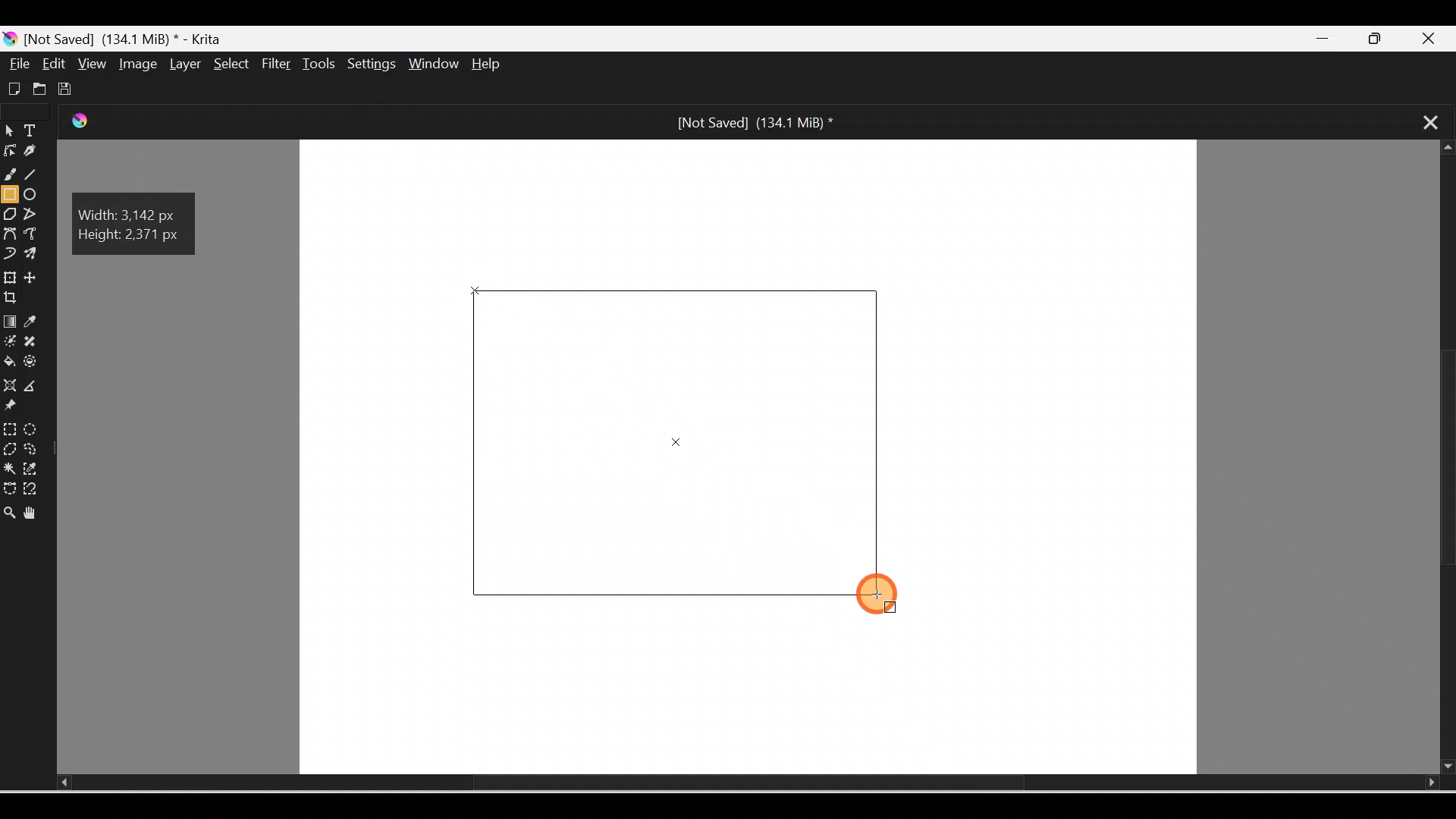 The width and height of the screenshot is (1456, 819). Describe the element at coordinates (89, 63) in the screenshot. I see `View` at that location.